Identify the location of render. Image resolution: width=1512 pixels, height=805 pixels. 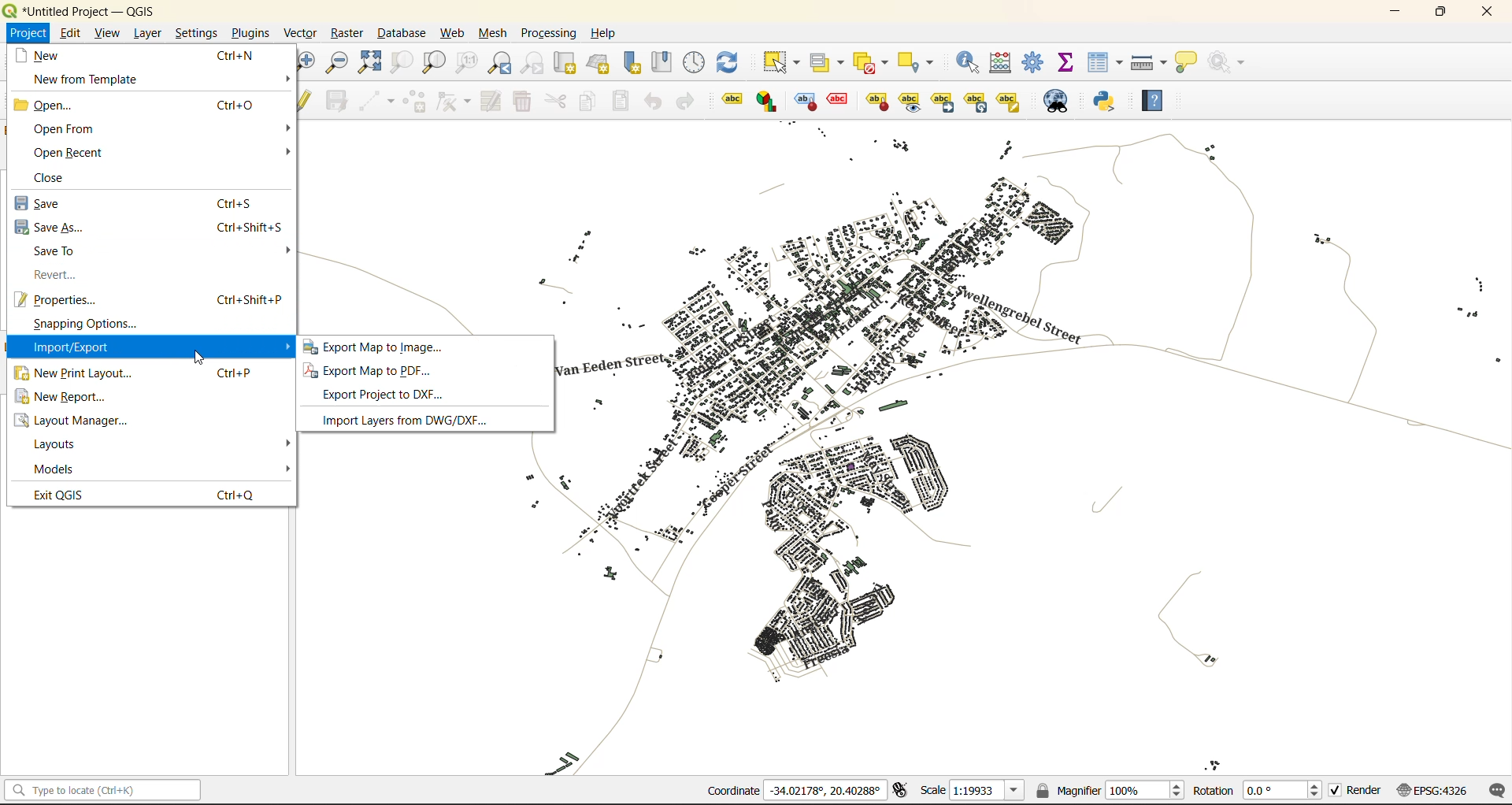
(1352, 793).